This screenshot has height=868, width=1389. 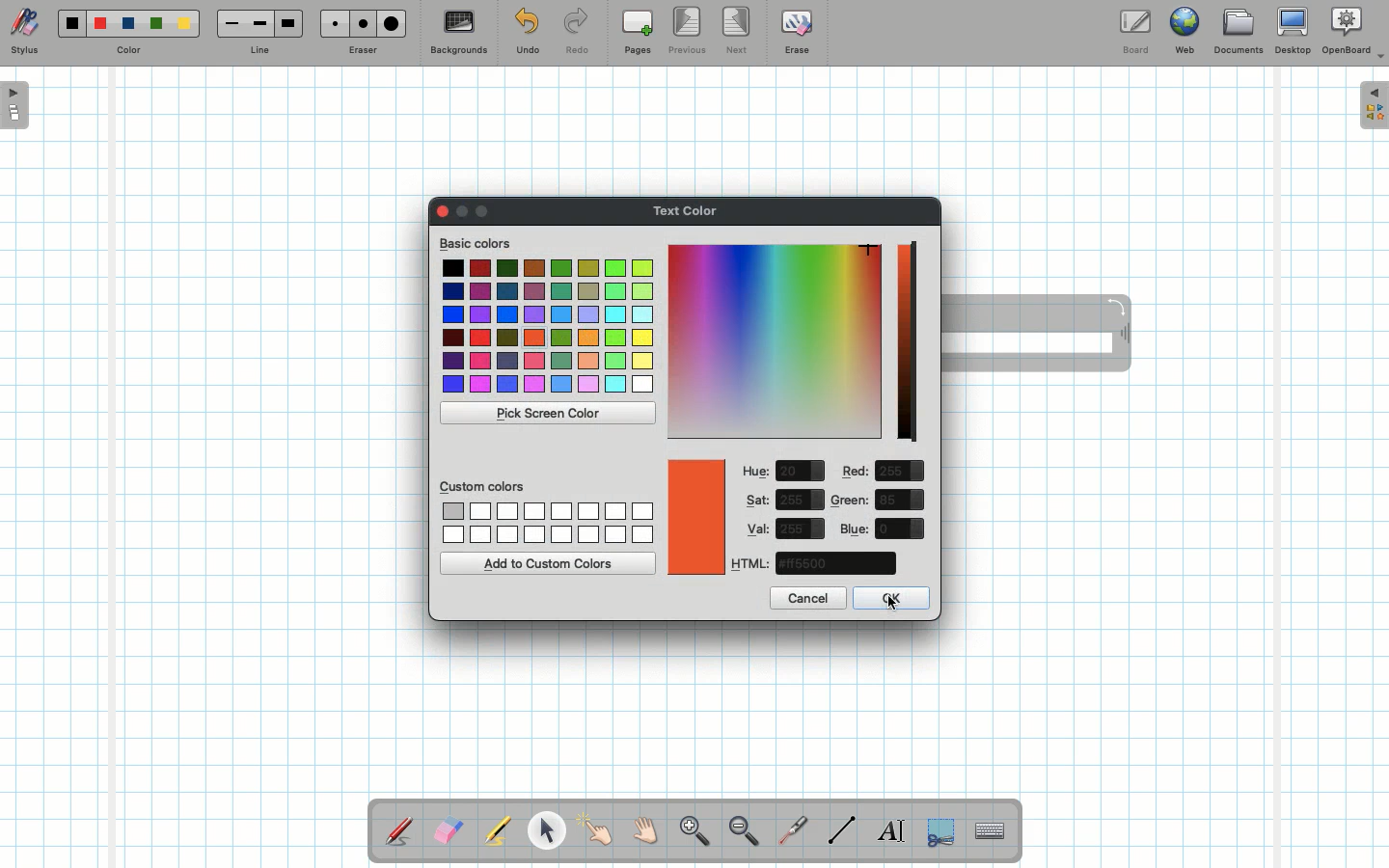 What do you see at coordinates (546, 830) in the screenshot?
I see `Pointer` at bounding box center [546, 830].